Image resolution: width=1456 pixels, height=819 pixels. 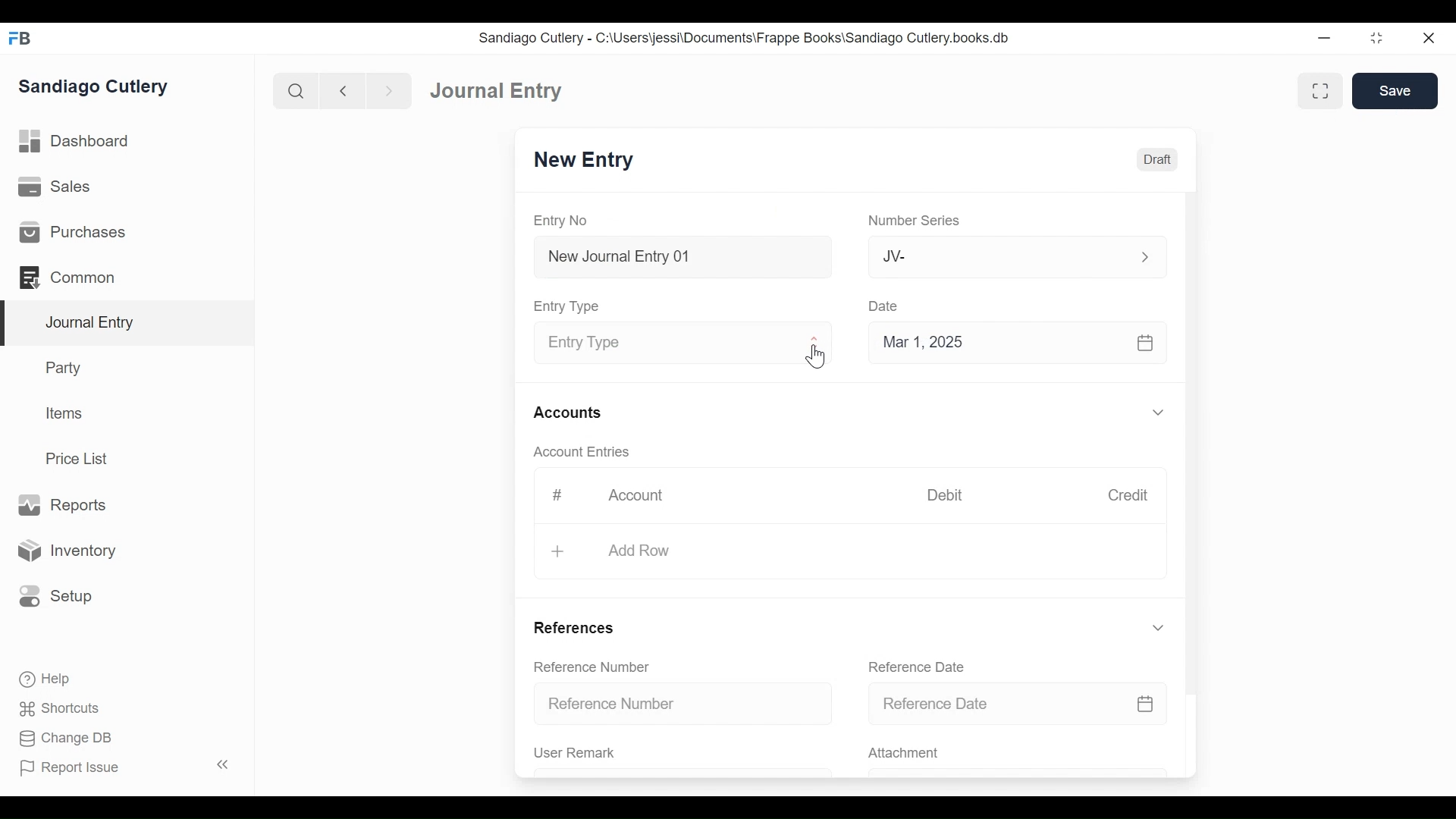 What do you see at coordinates (566, 306) in the screenshot?
I see `Entry Type` at bounding box center [566, 306].